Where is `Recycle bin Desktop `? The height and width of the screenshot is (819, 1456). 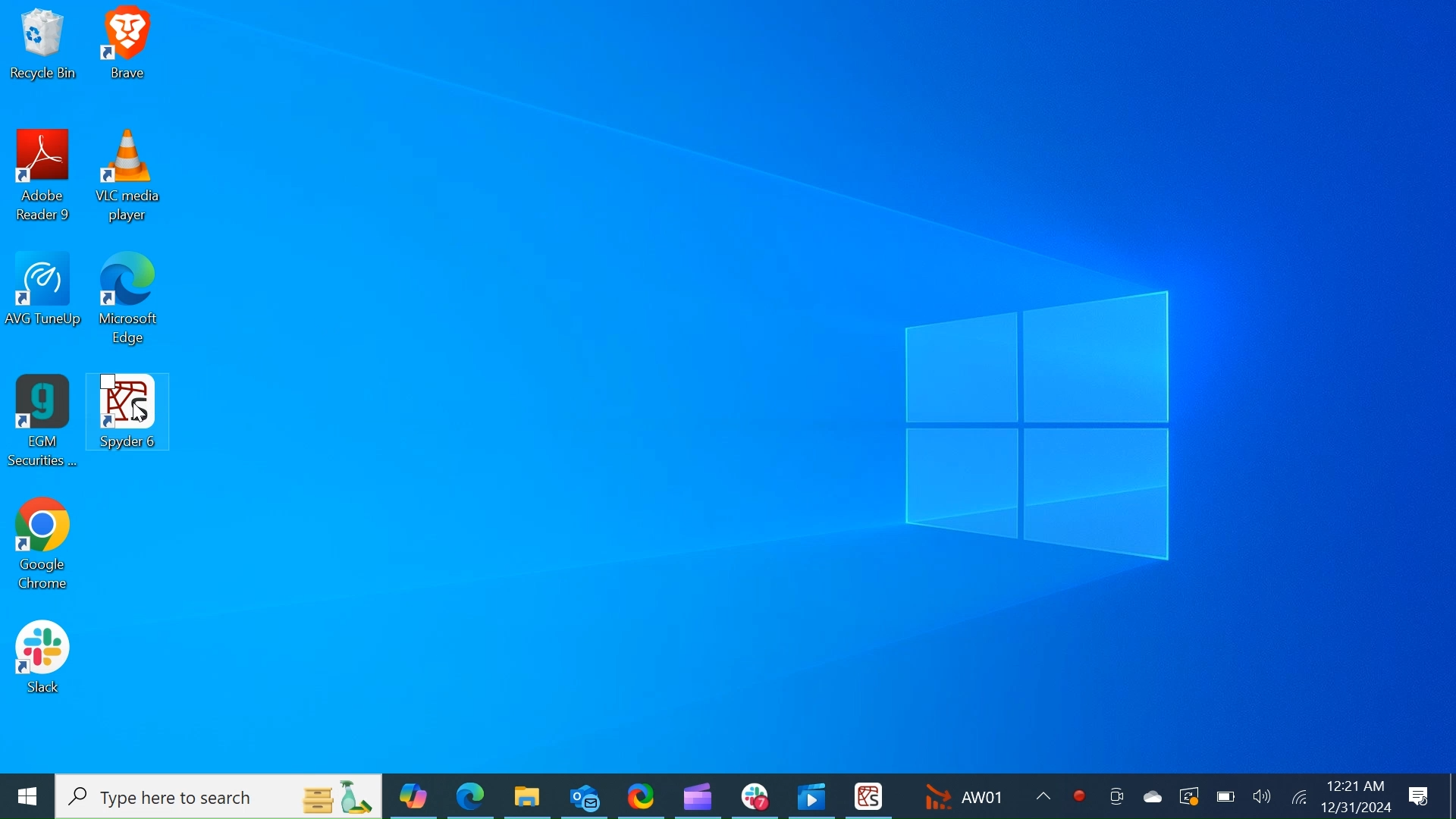 Recycle bin Desktop  is located at coordinates (45, 45).